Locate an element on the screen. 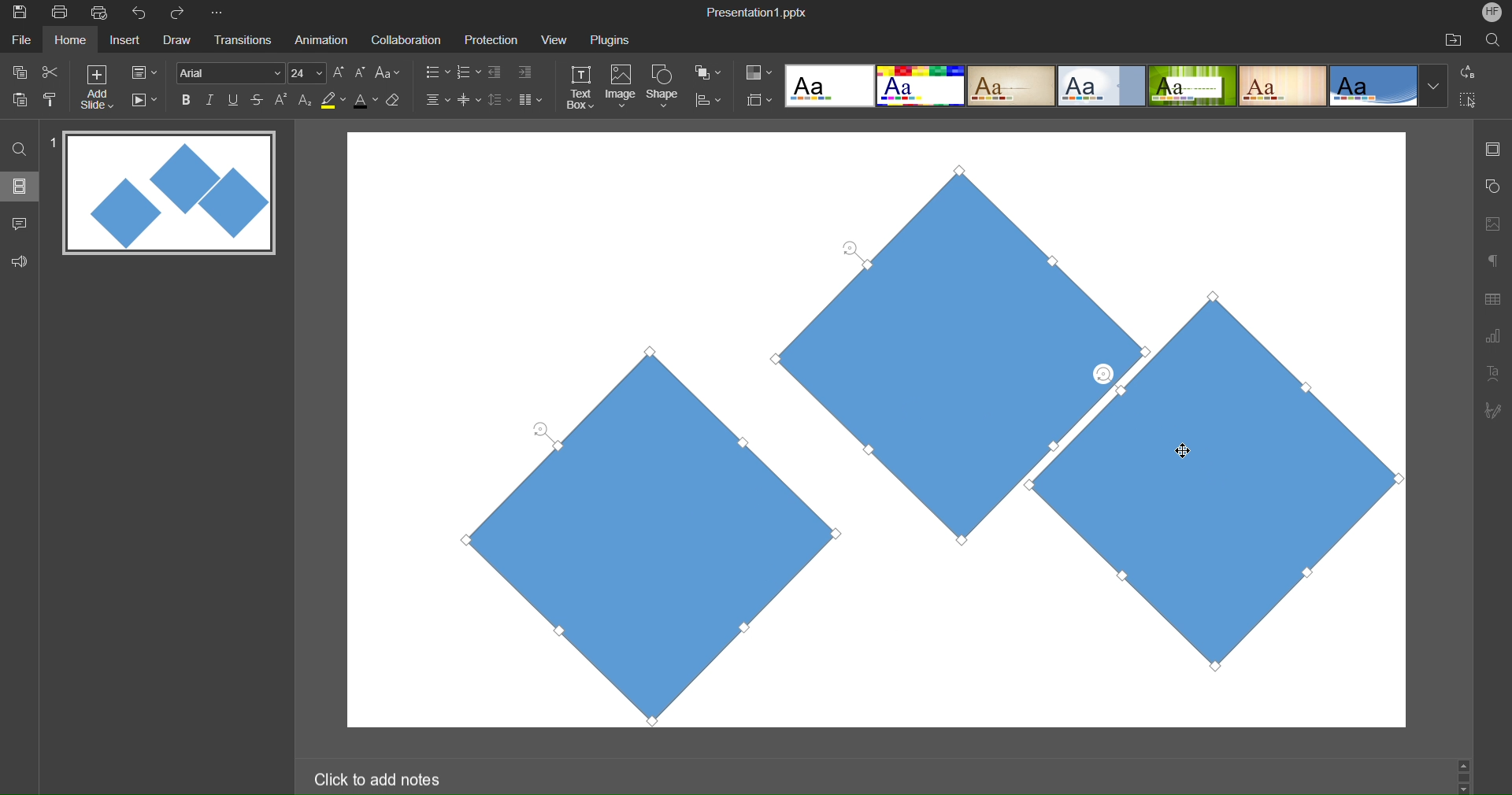 The image size is (1512, 795). Line Spacing is located at coordinates (498, 101).